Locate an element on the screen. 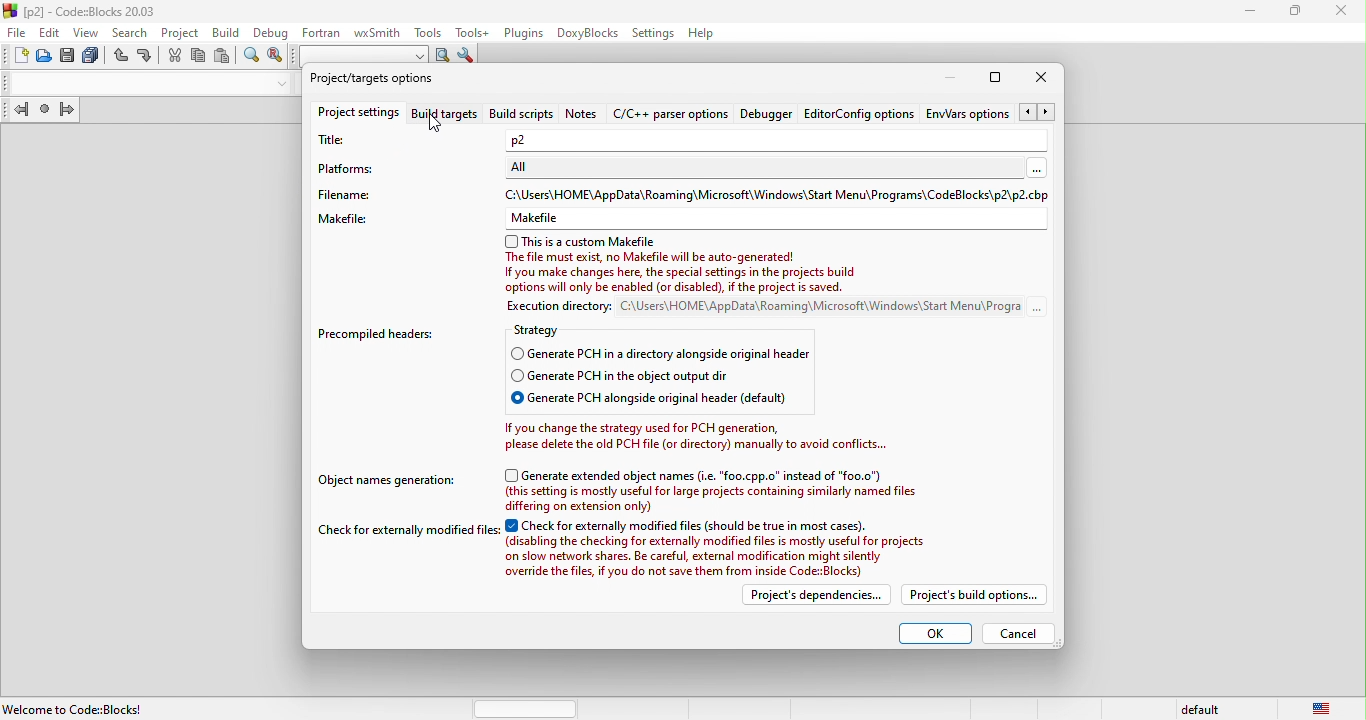 The width and height of the screenshot is (1366, 720). project settings is located at coordinates (356, 115).